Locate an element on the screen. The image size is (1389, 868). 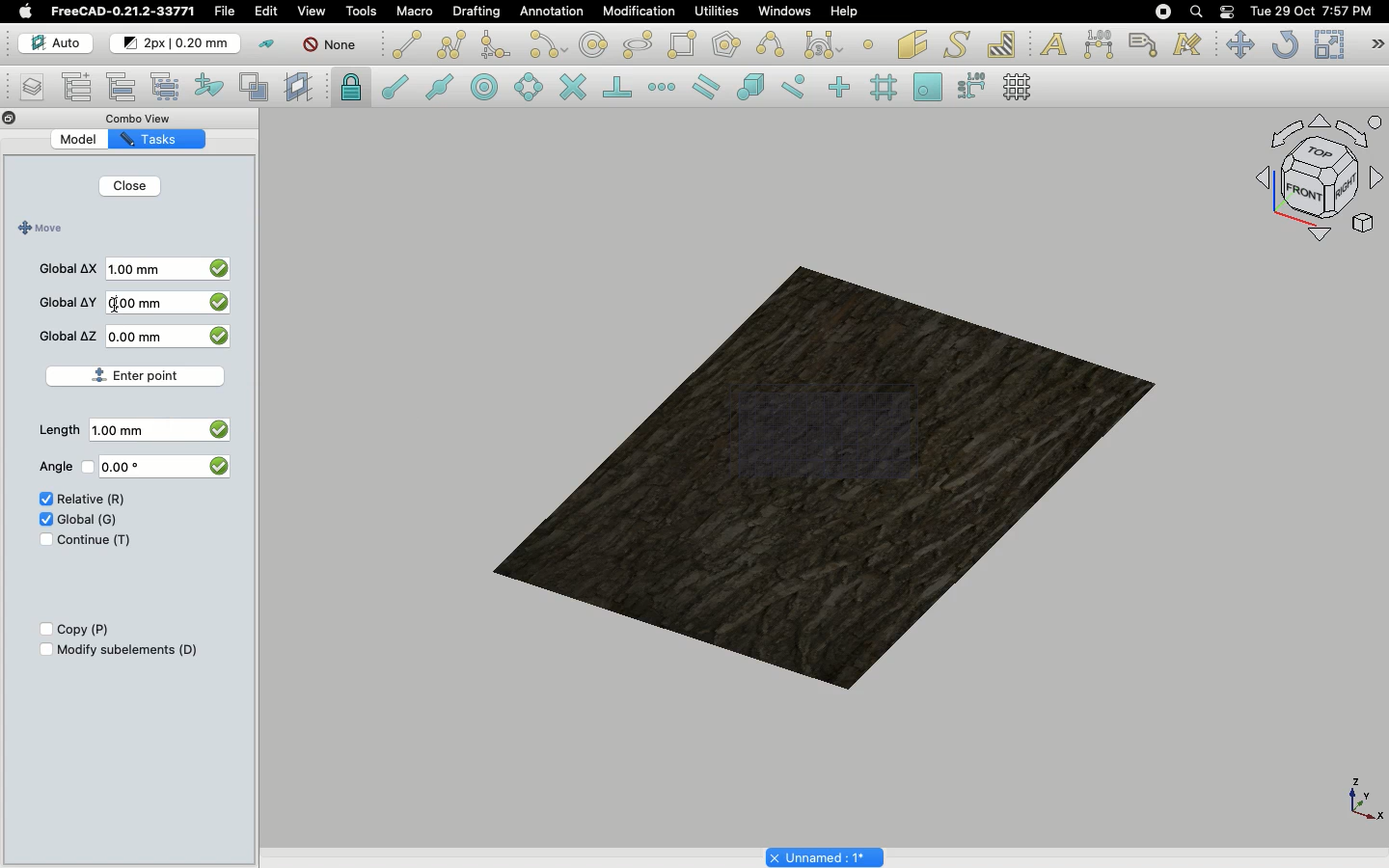
Search is located at coordinates (1195, 12).